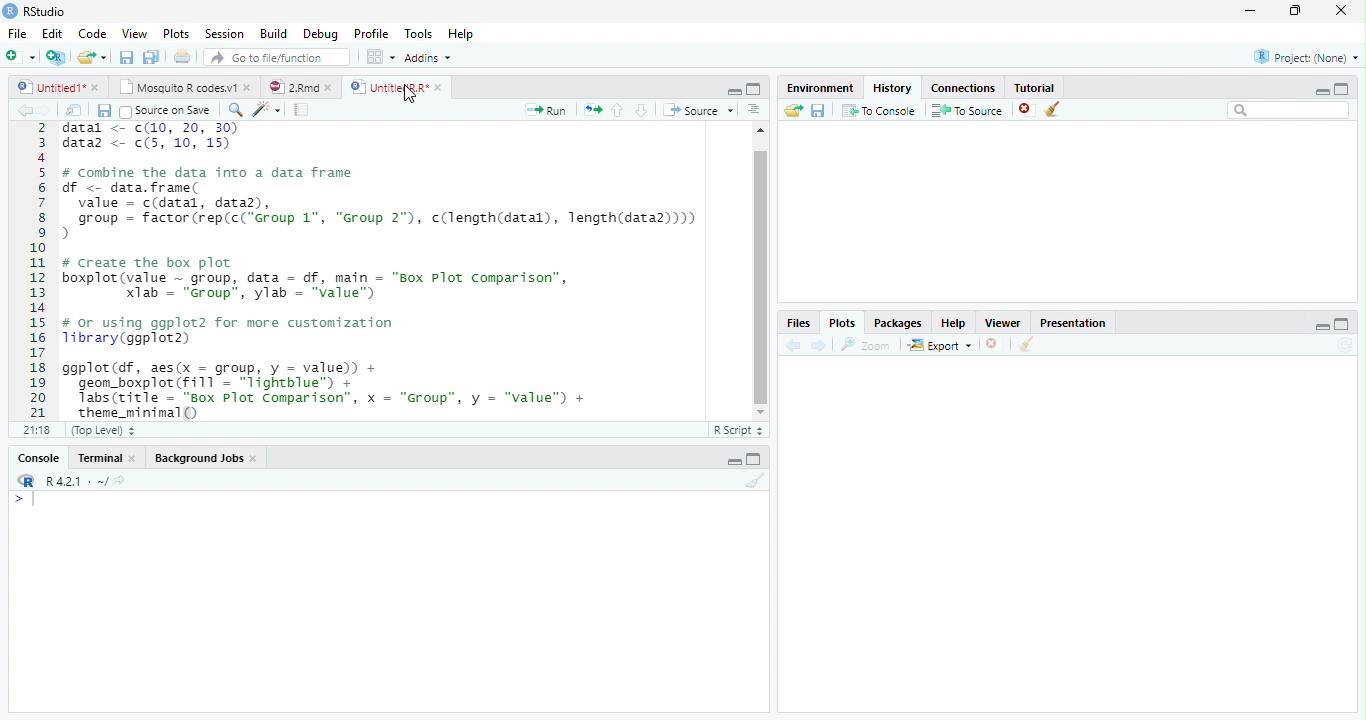 Image resolution: width=1366 pixels, height=720 pixels. What do you see at coordinates (617, 110) in the screenshot?
I see `Go to previous section/chunk` at bounding box center [617, 110].